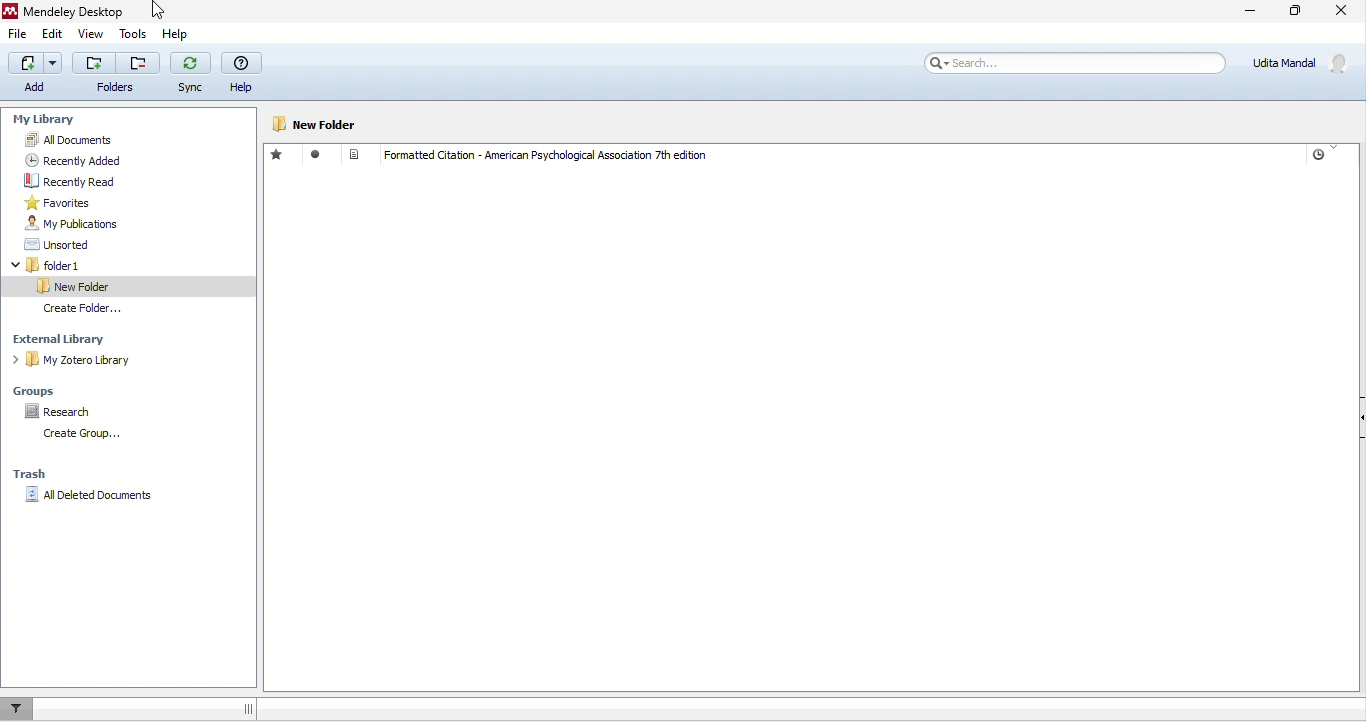 This screenshot has height=722, width=1366. Describe the element at coordinates (87, 308) in the screenshot. I see `create folder` at that location.